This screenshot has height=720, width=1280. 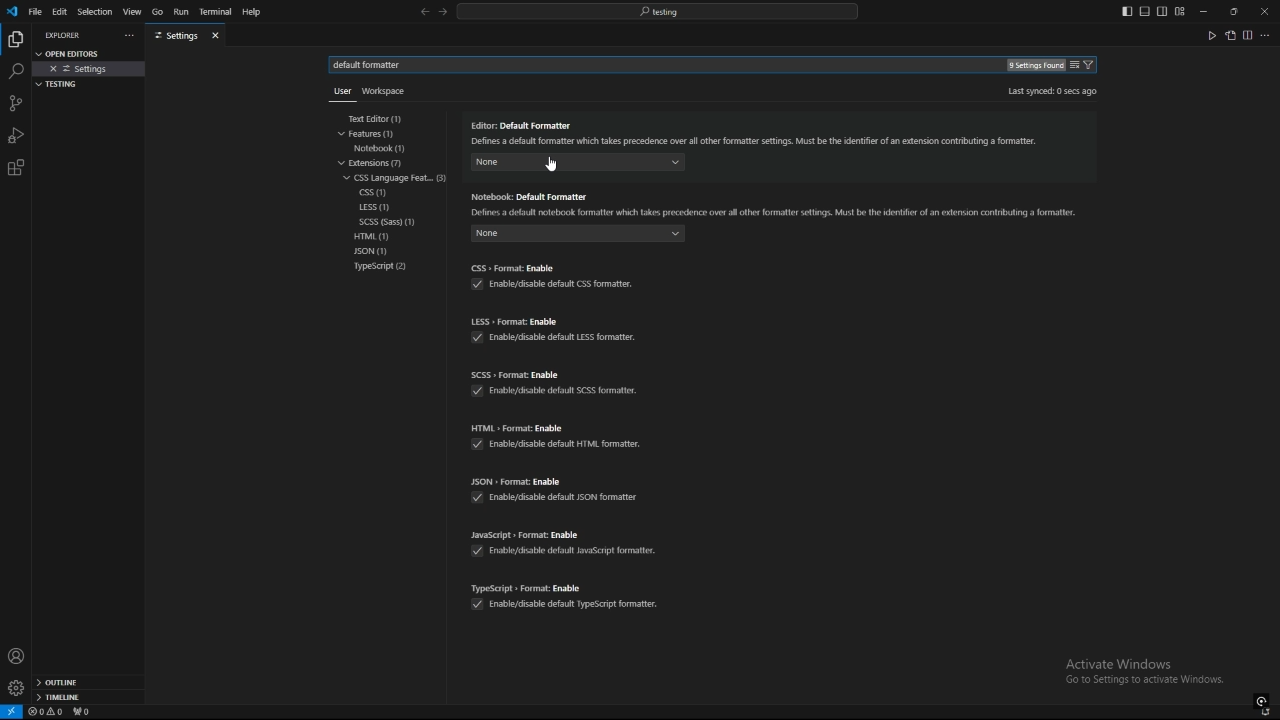 What do you see at coordinates (383, 252) in the screenshot?
I see `json` at bounding box center [383, 252].